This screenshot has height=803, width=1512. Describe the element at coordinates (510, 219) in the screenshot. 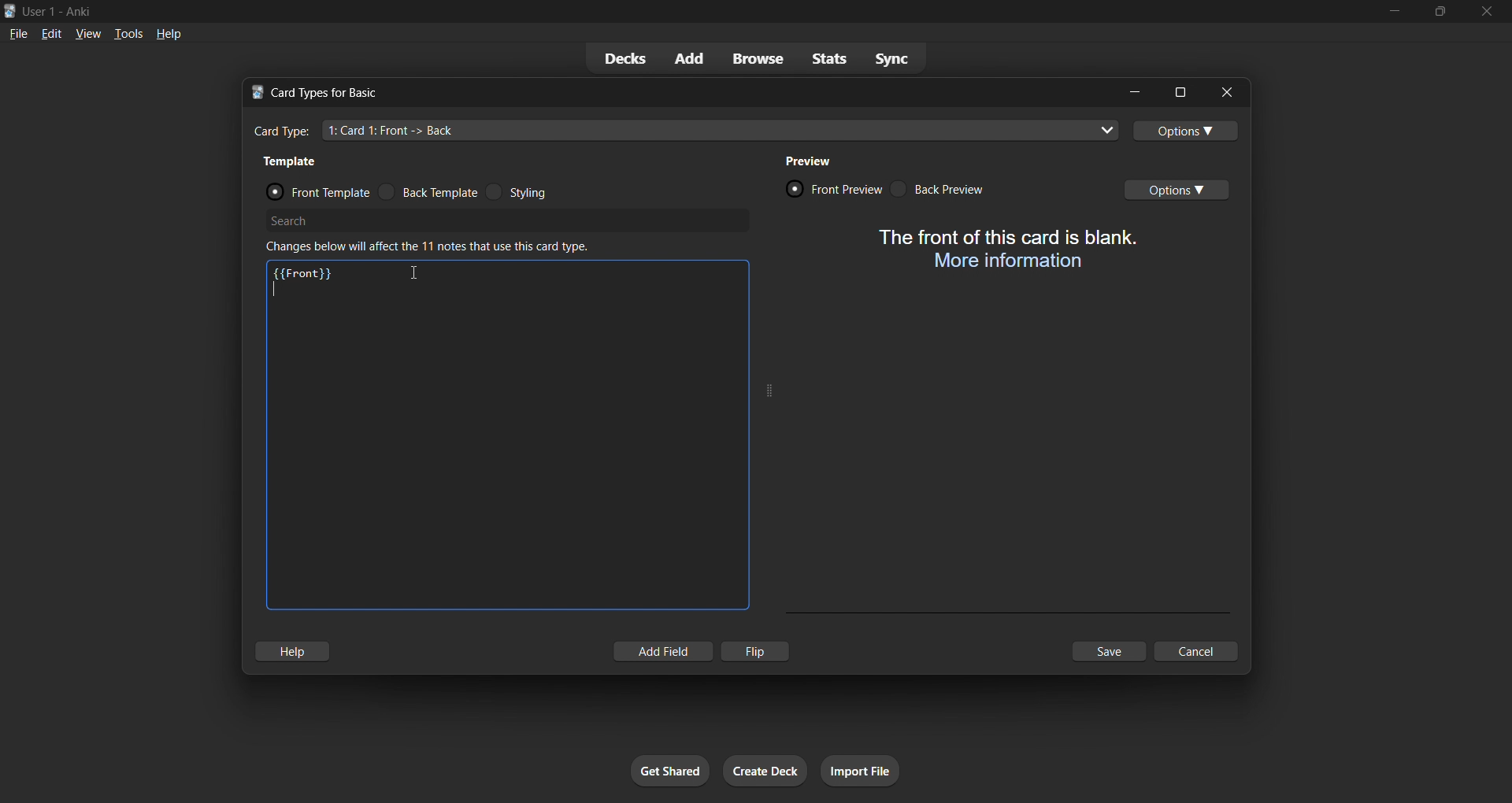

I see `search bar` at that location.